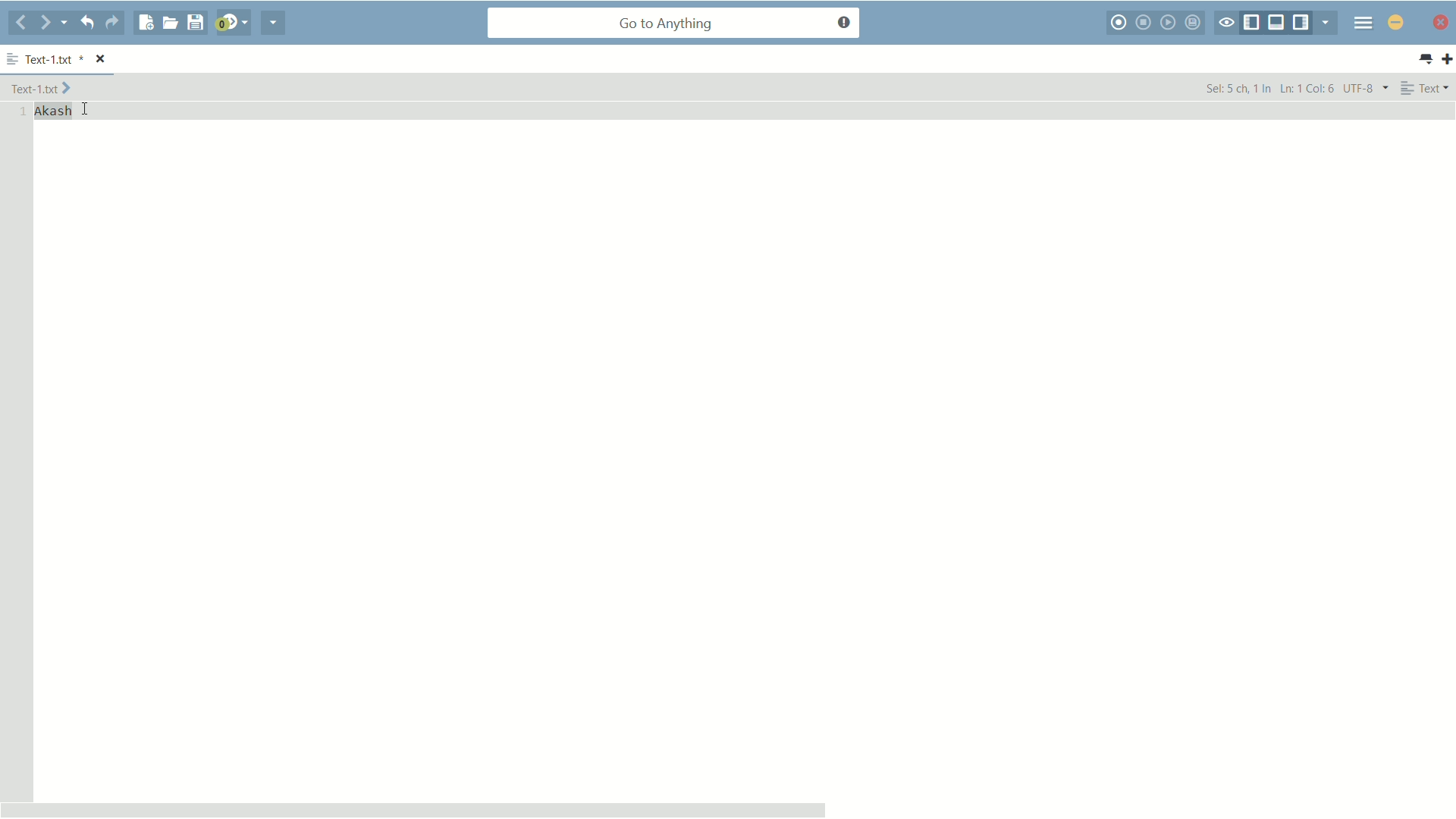 Image resolution: width=1456 pixels, height=819 pixels. What do you see at coordinates (54, 111) in the screenshot?
I see `Akash` at bounding box center [54, 111].